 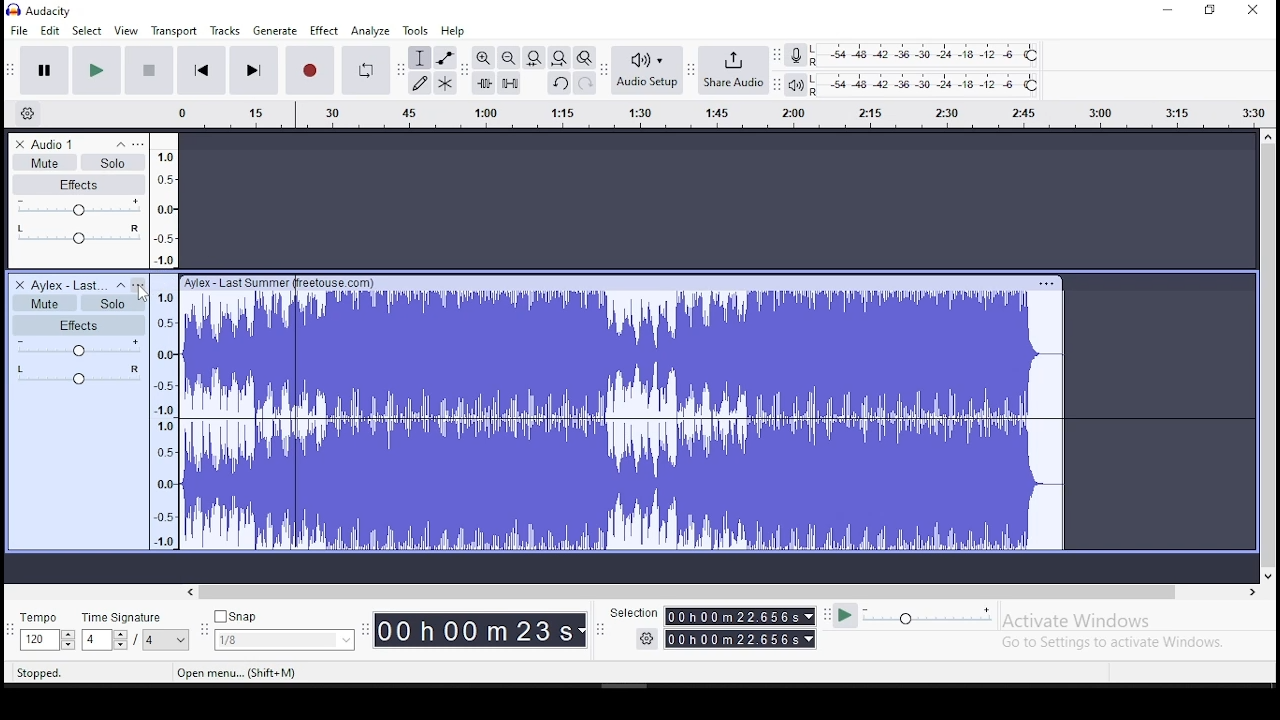 I want to click on play at speed/play at speed (once), so click(x=929, y=619).